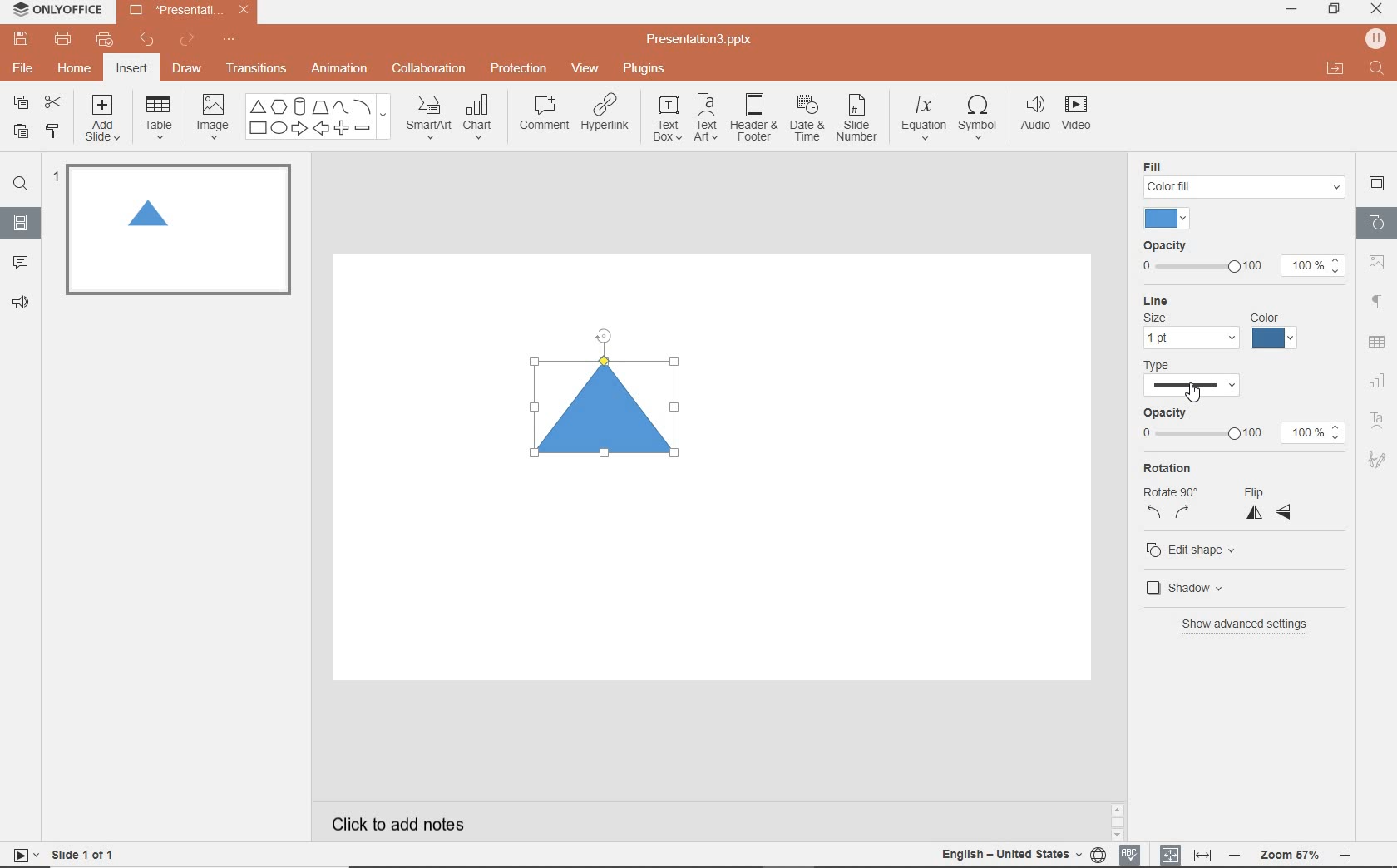  I want to click on start slideshow, so click(20, 857).